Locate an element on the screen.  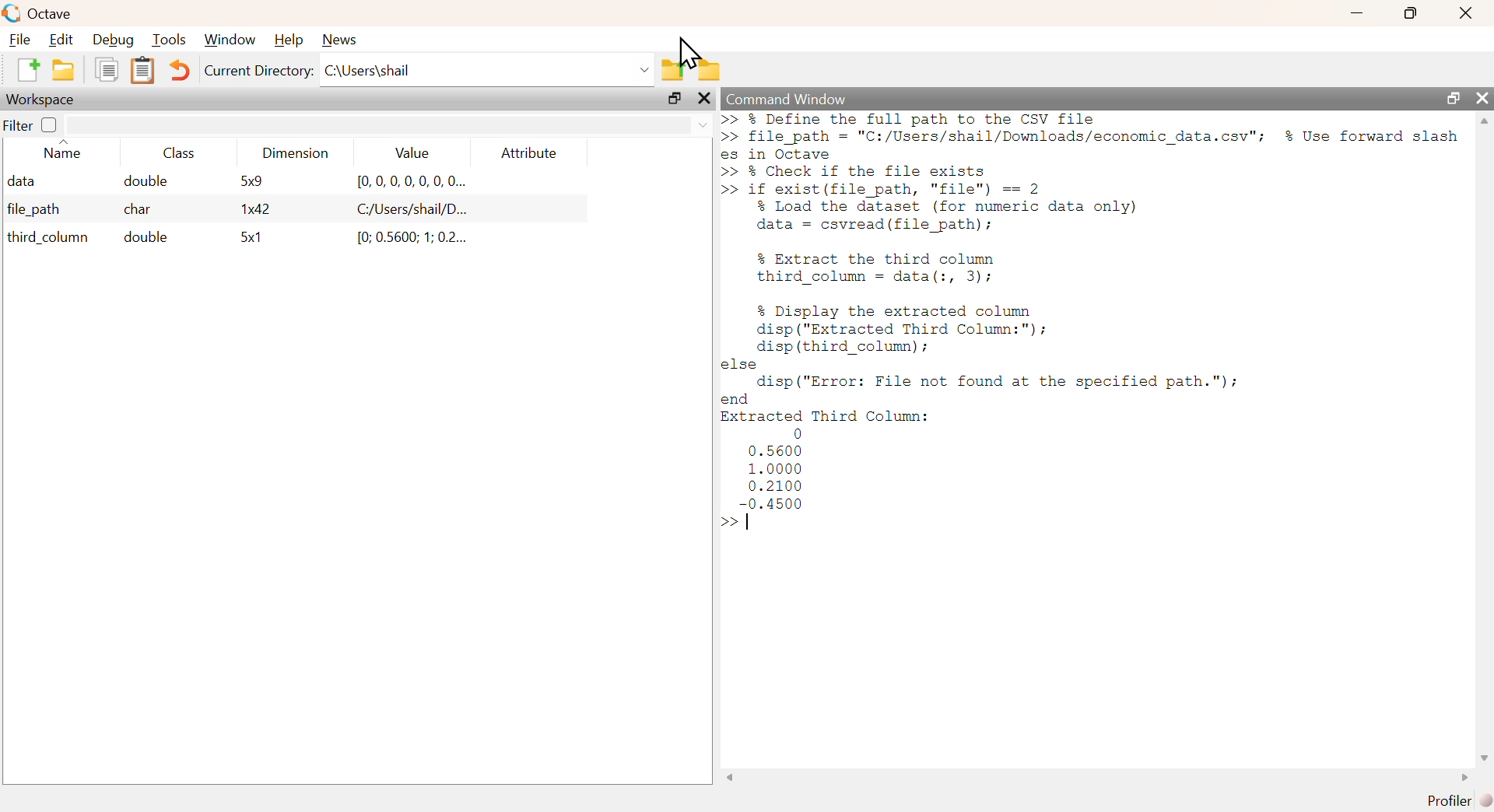
News is located at coordinates (345, 40).